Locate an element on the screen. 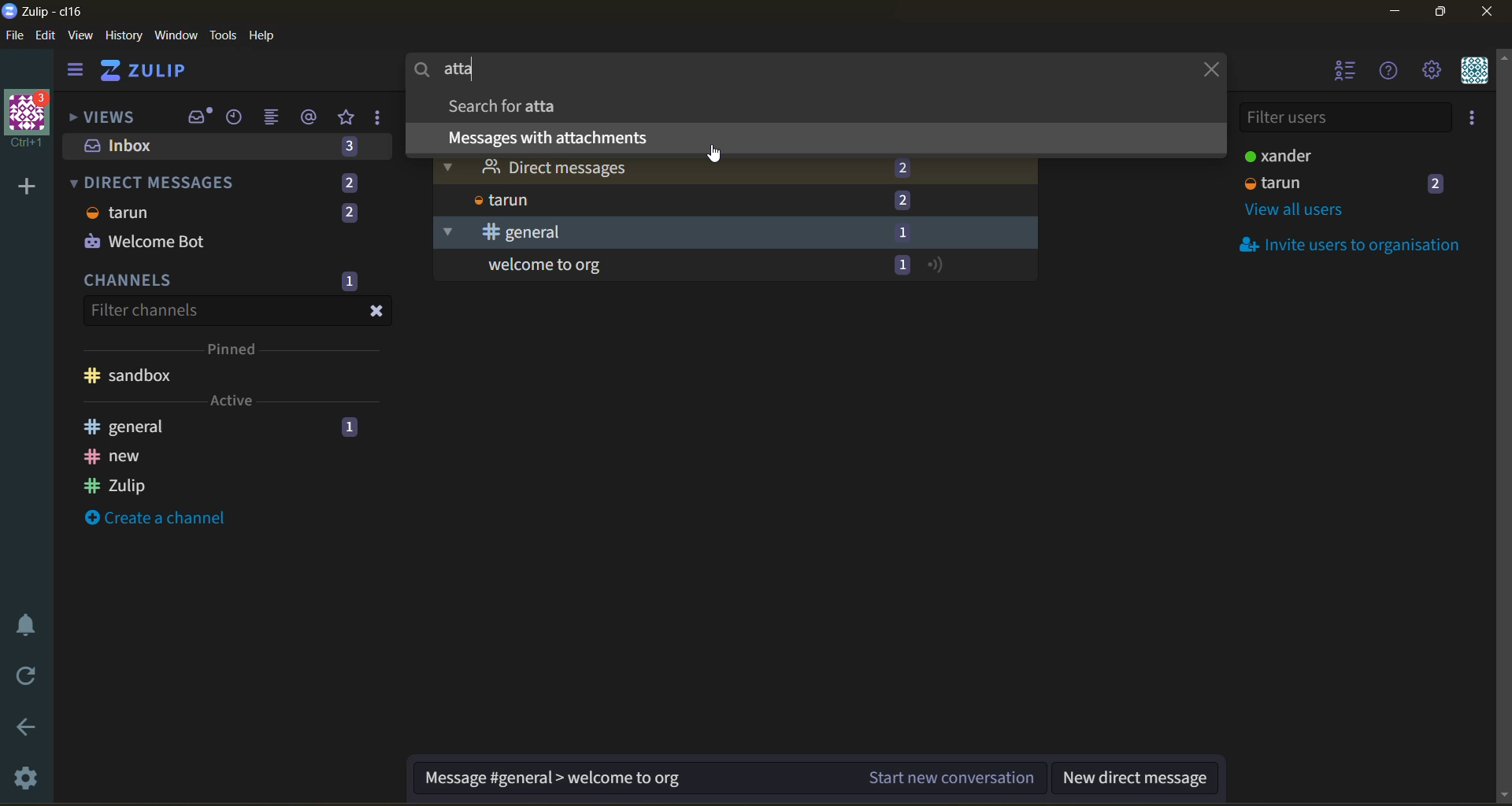 Image resolution: width=1512 pixels, height=806 pixels. create a channel is located at coordinates (154, 517).